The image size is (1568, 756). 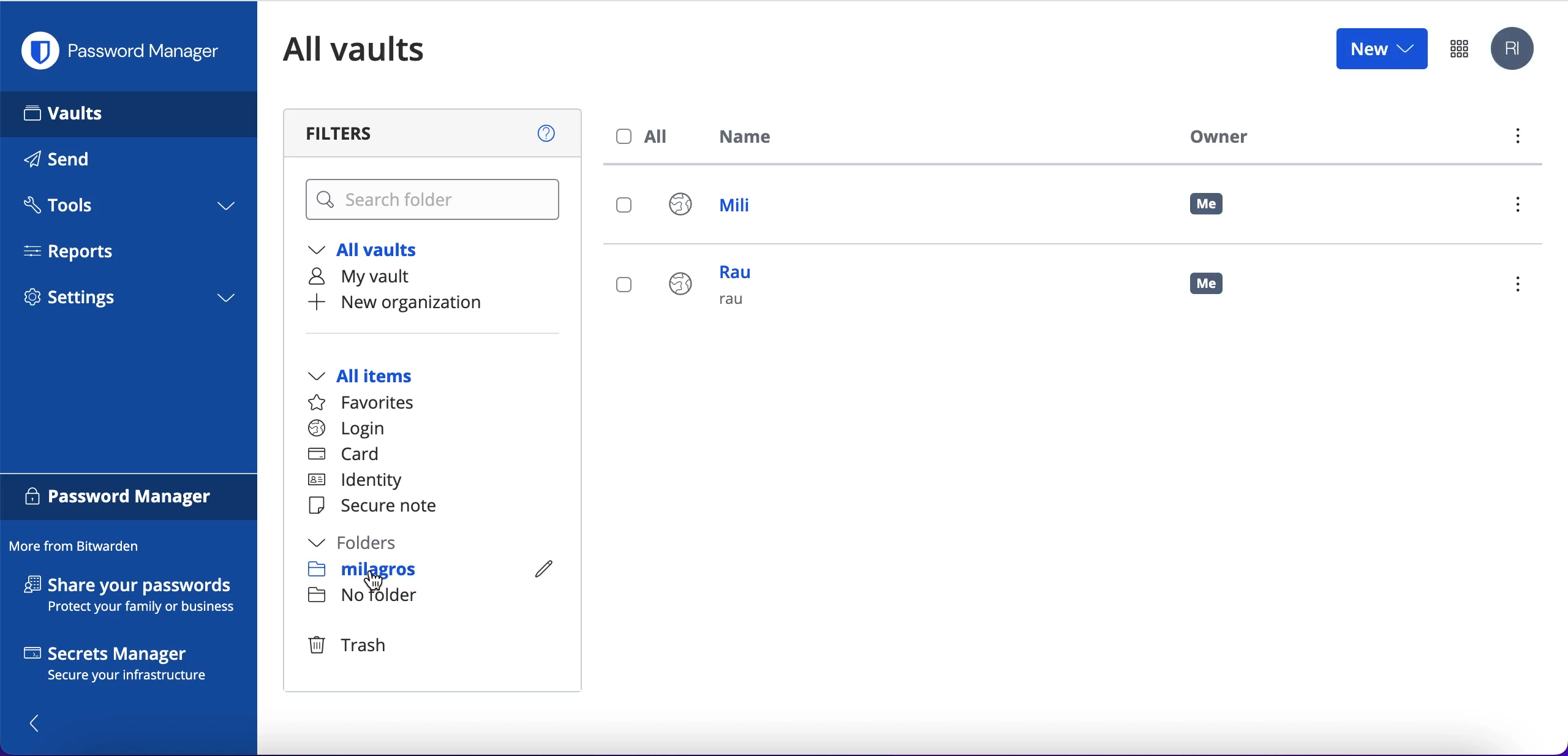 I want to click on trash, so click(x=356, y=643).